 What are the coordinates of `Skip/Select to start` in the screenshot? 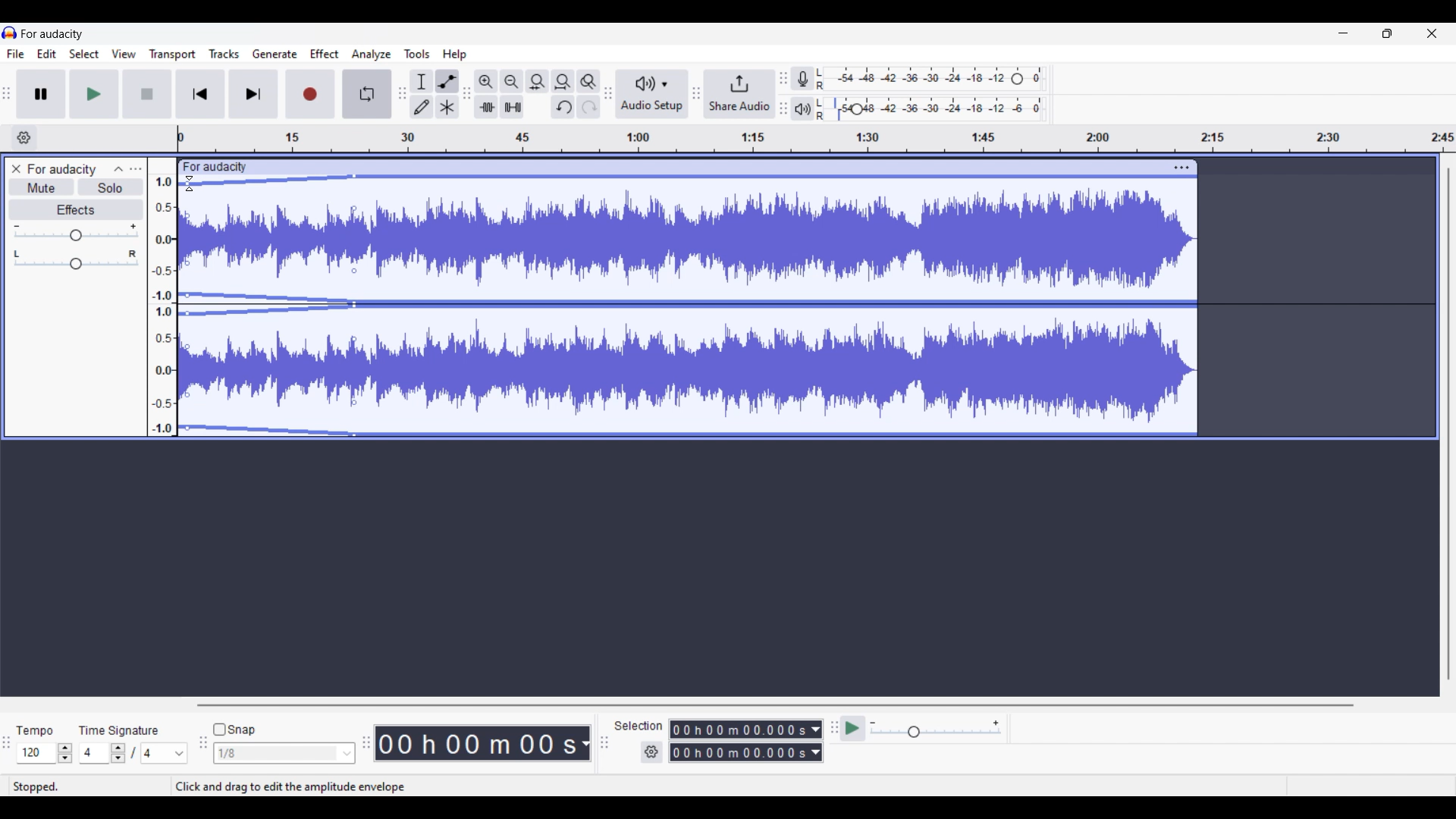 It's located at (200, 93).